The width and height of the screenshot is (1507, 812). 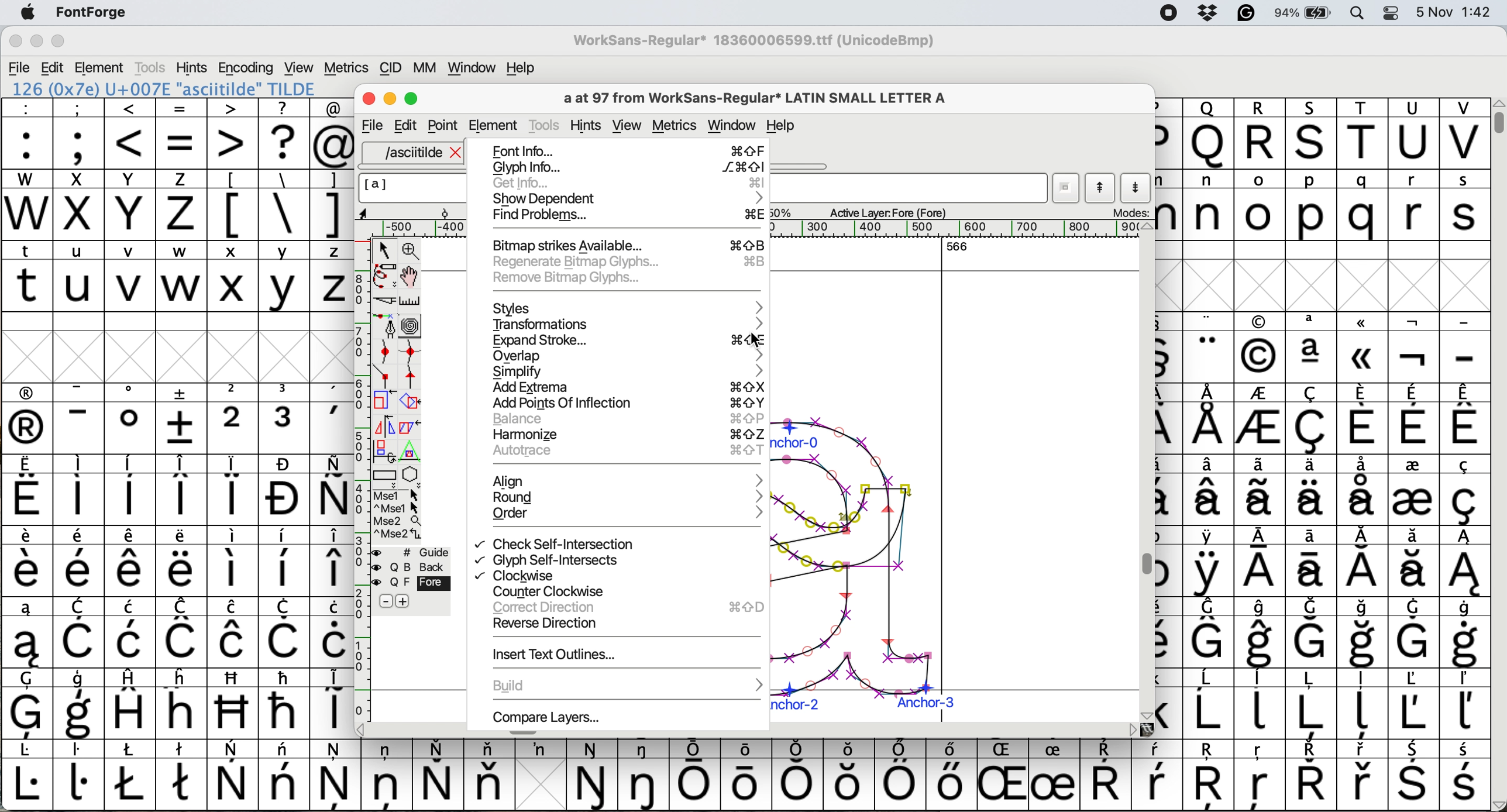 I want to click on symbol, so click(x=183, y=773).